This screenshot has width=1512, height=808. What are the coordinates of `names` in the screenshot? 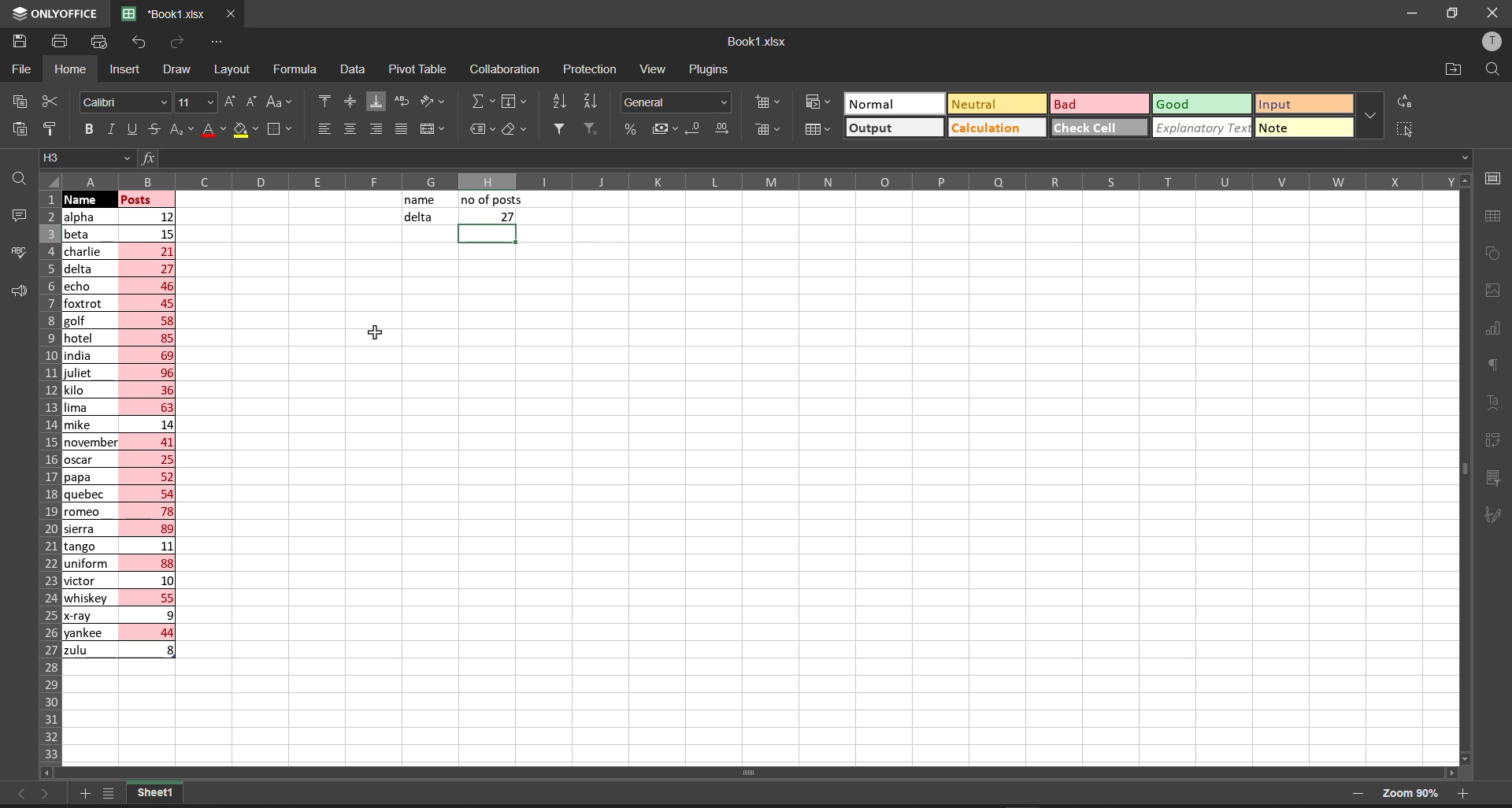 It's located at (87, 433).